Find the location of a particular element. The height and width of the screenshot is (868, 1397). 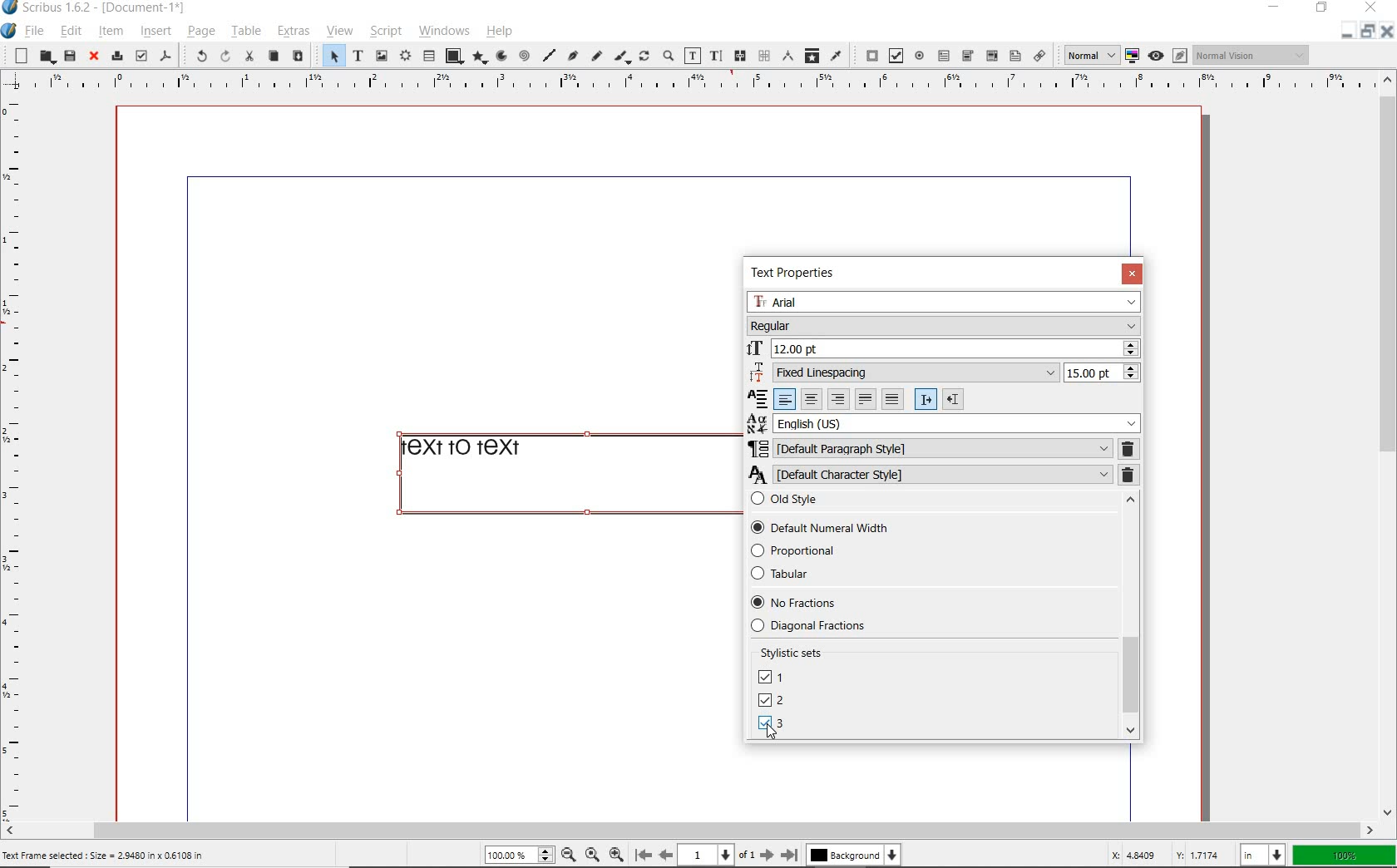

Bezier curve is located at coordinates (572, 57).